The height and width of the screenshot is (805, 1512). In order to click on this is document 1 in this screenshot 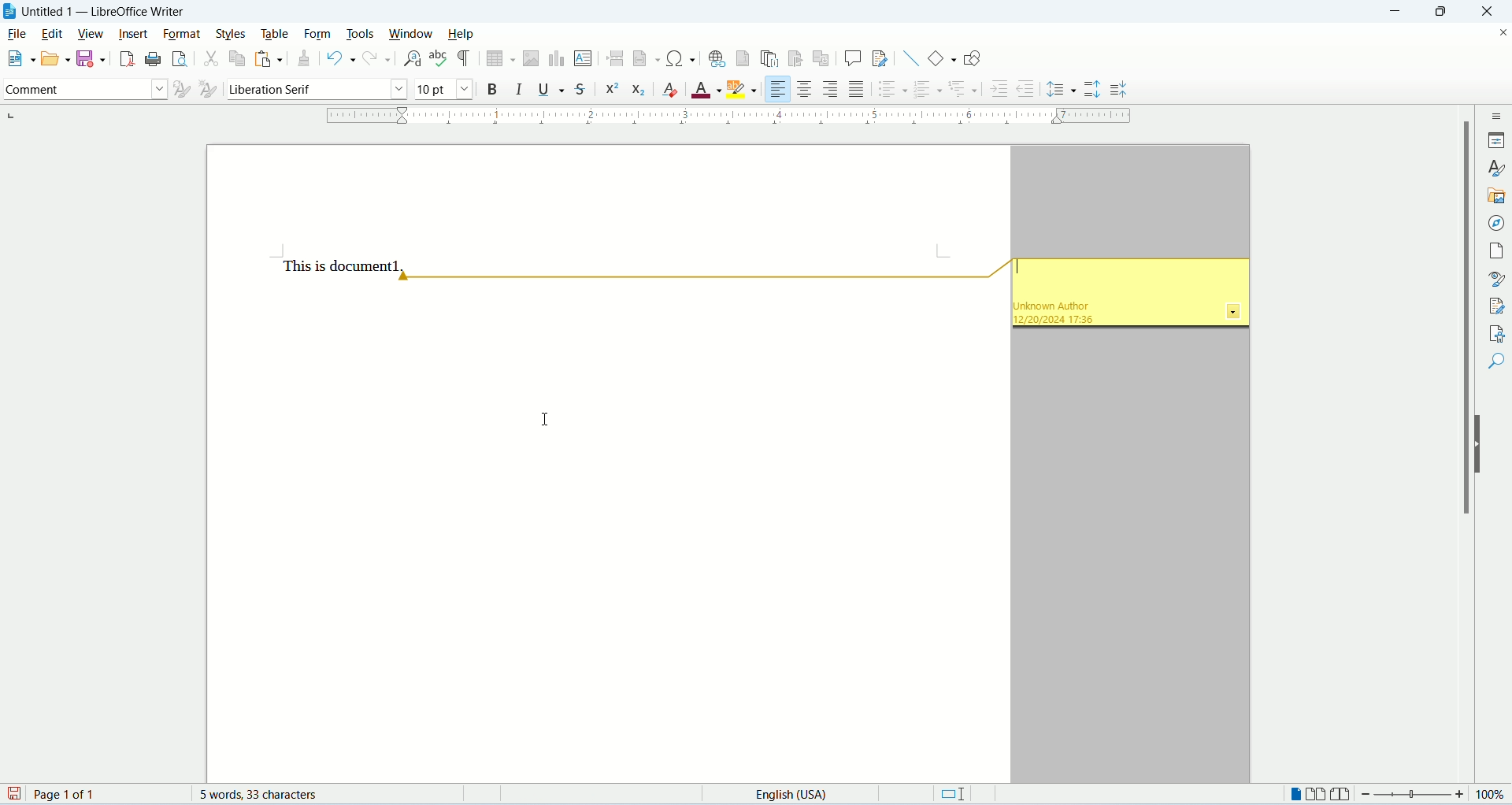, I will do `click(343, 265)`.